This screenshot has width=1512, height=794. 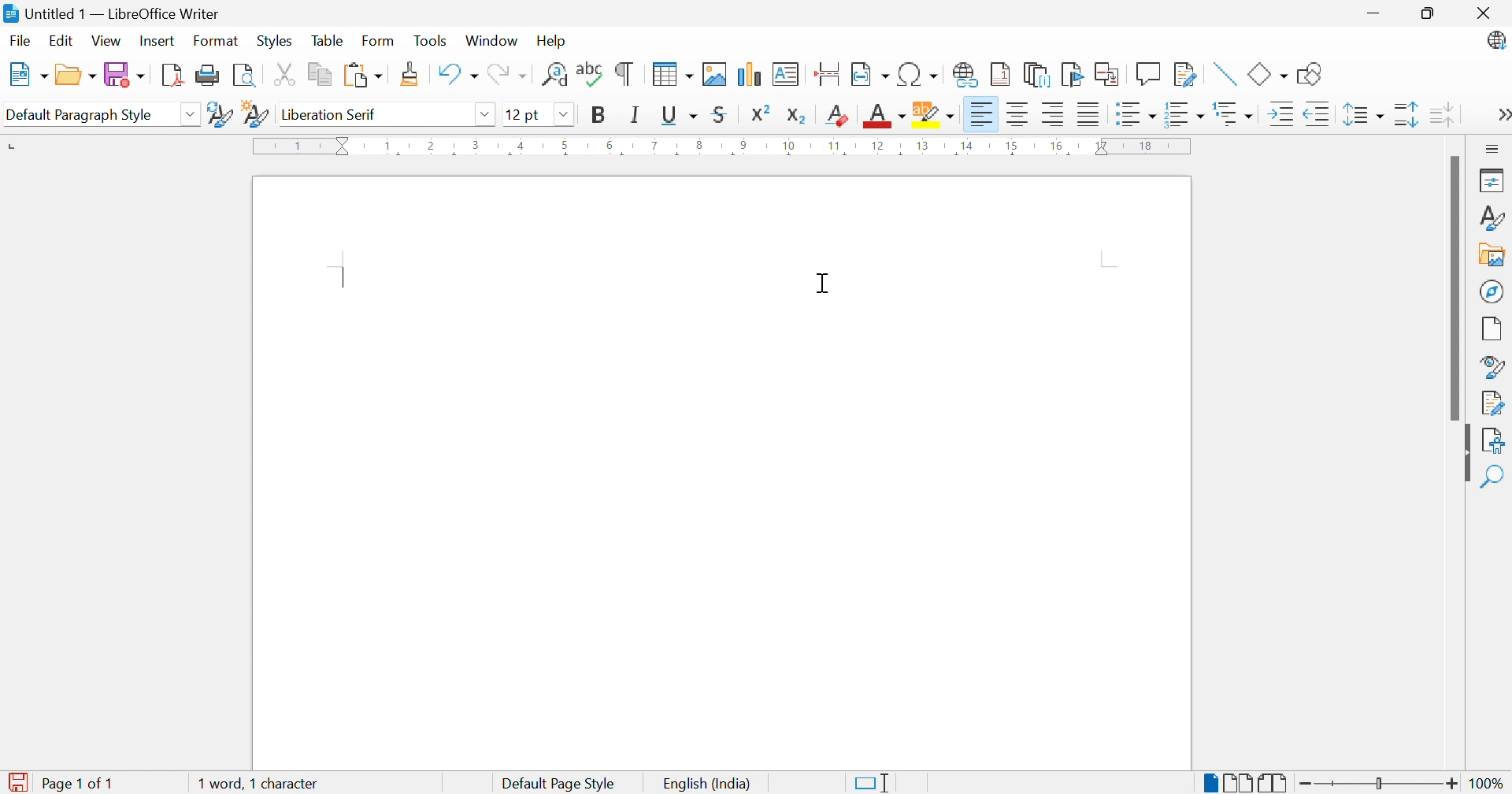 What do you see at coordinates (1497, 42) in the screenshot?
I see `LibreOffice Update Available` at bounding box center [1497, 42].